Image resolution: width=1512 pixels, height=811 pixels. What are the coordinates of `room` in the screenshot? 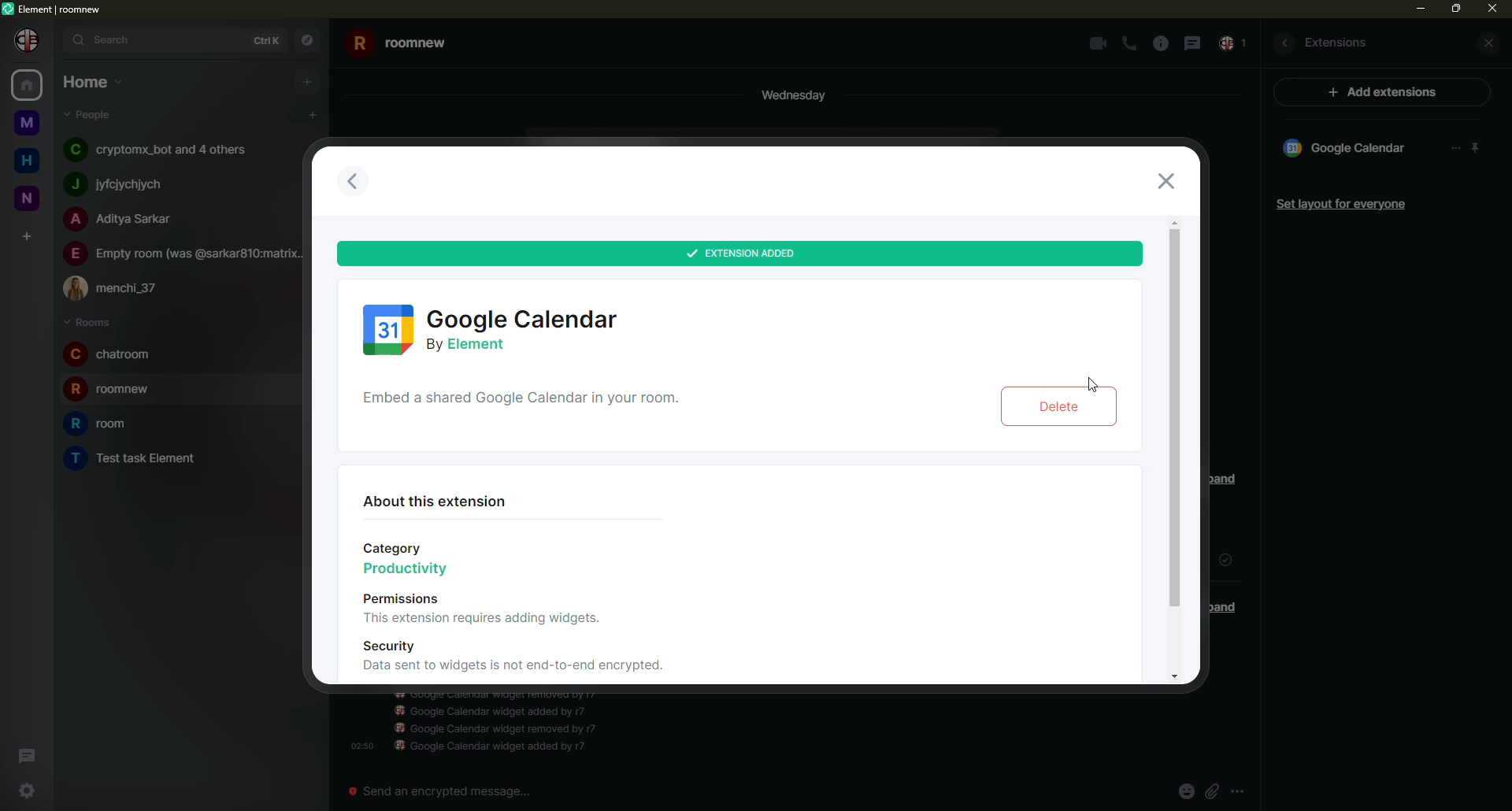 It's located at (28, 124).